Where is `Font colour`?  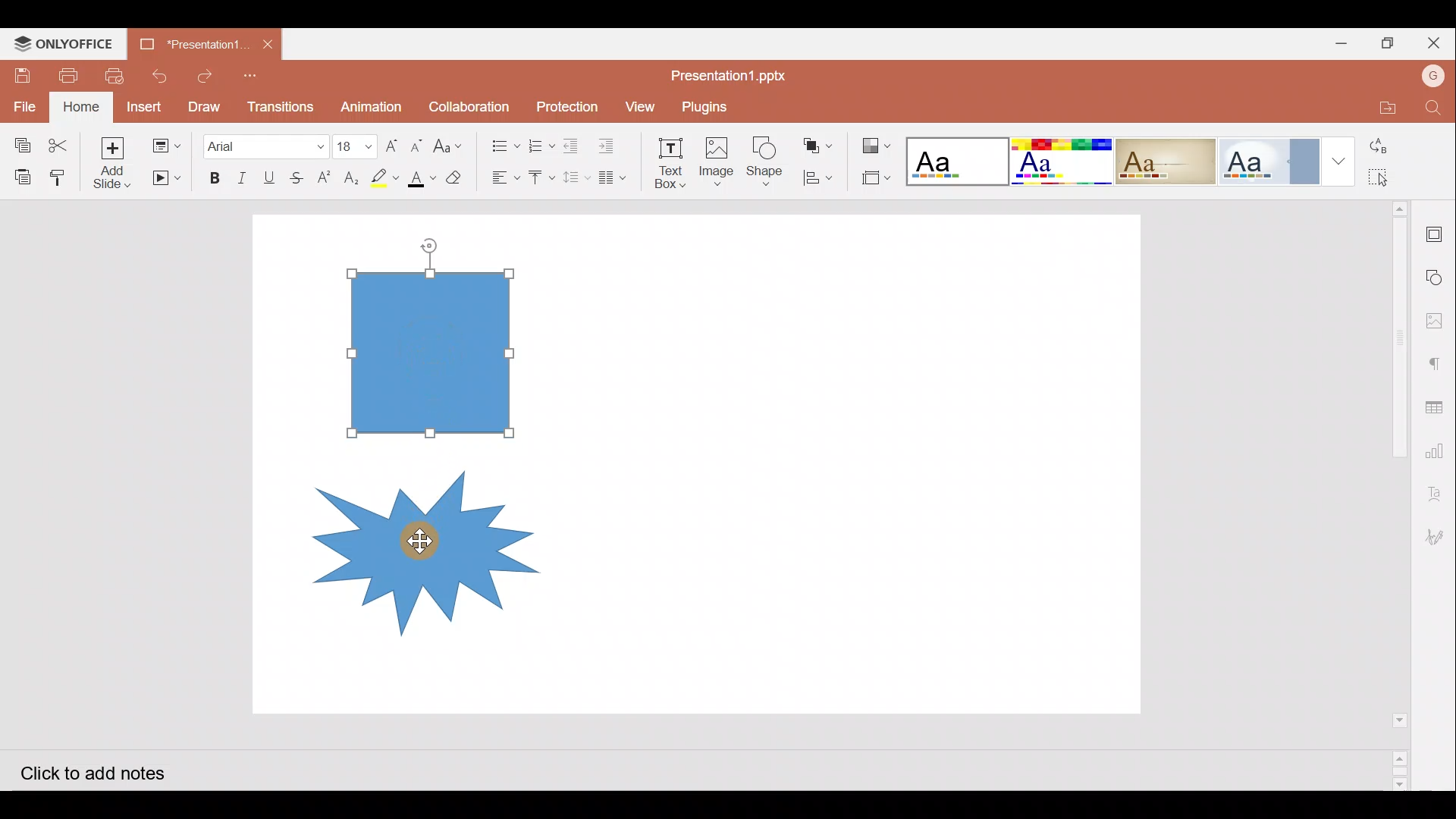
Font colour is located at coordinates (420, 178).